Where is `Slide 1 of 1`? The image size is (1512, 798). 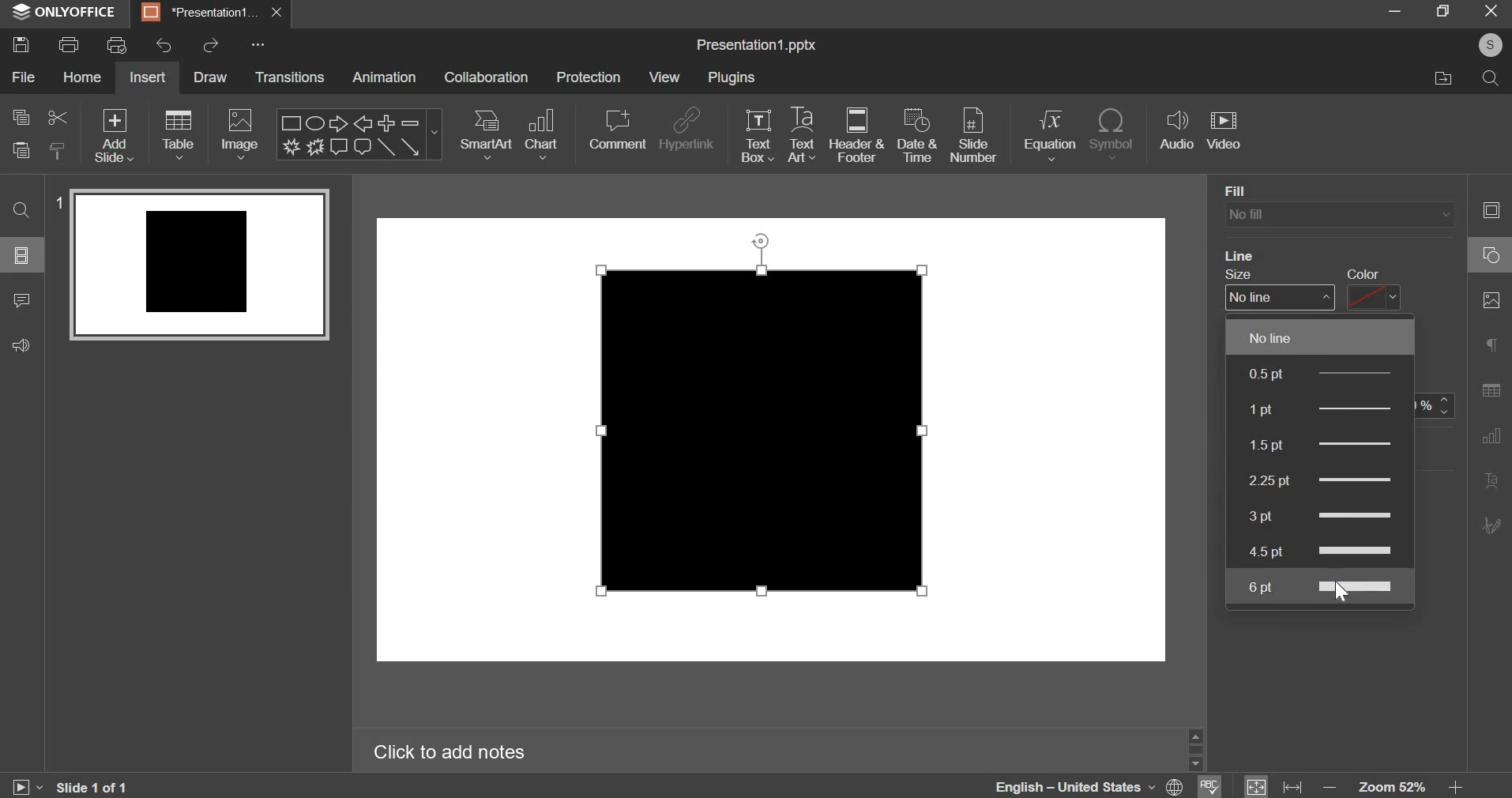 Slide 1 of 1 is located at coordinates (96, 786).